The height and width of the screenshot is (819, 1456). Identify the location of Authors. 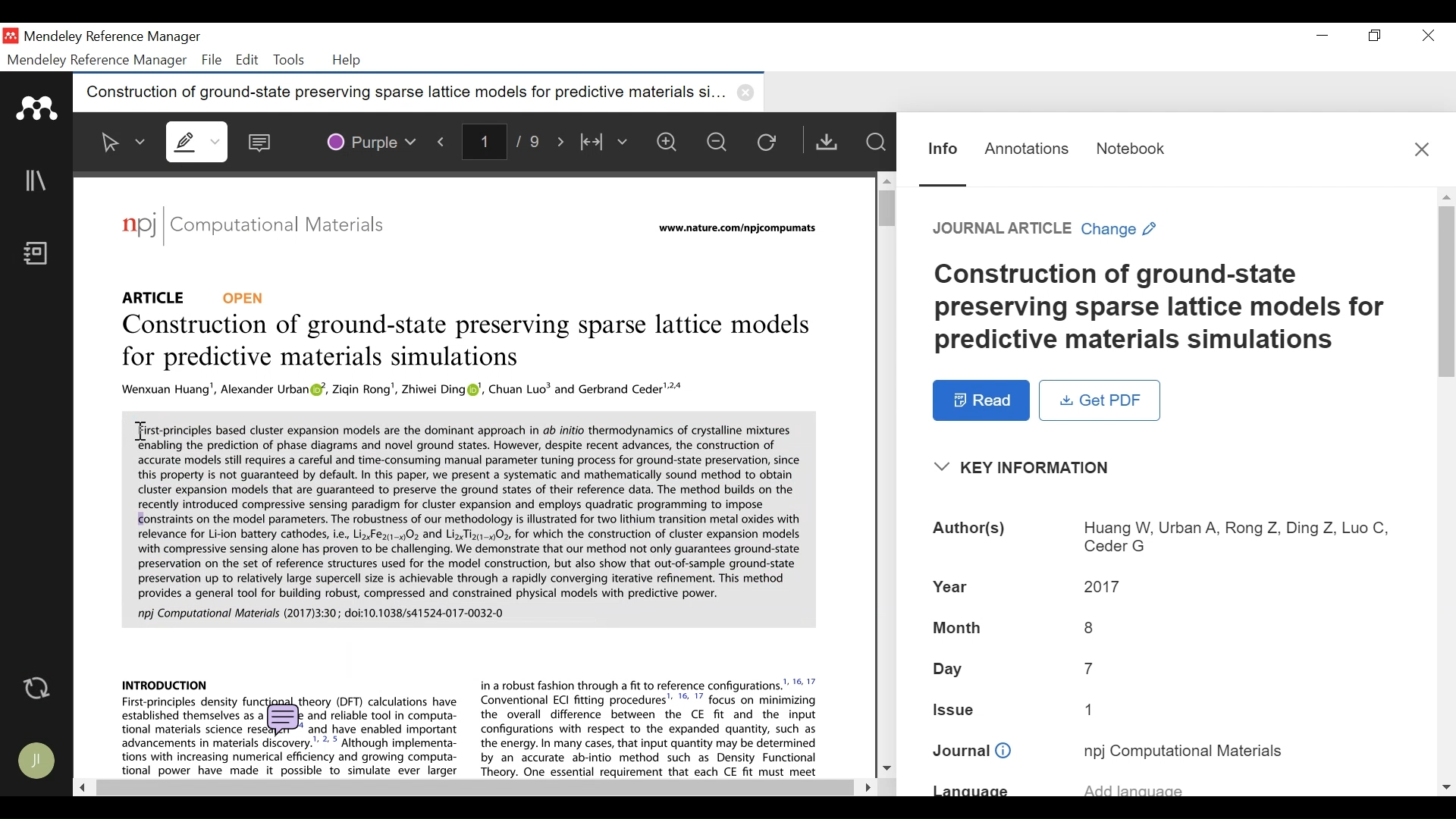
(1235, 538).